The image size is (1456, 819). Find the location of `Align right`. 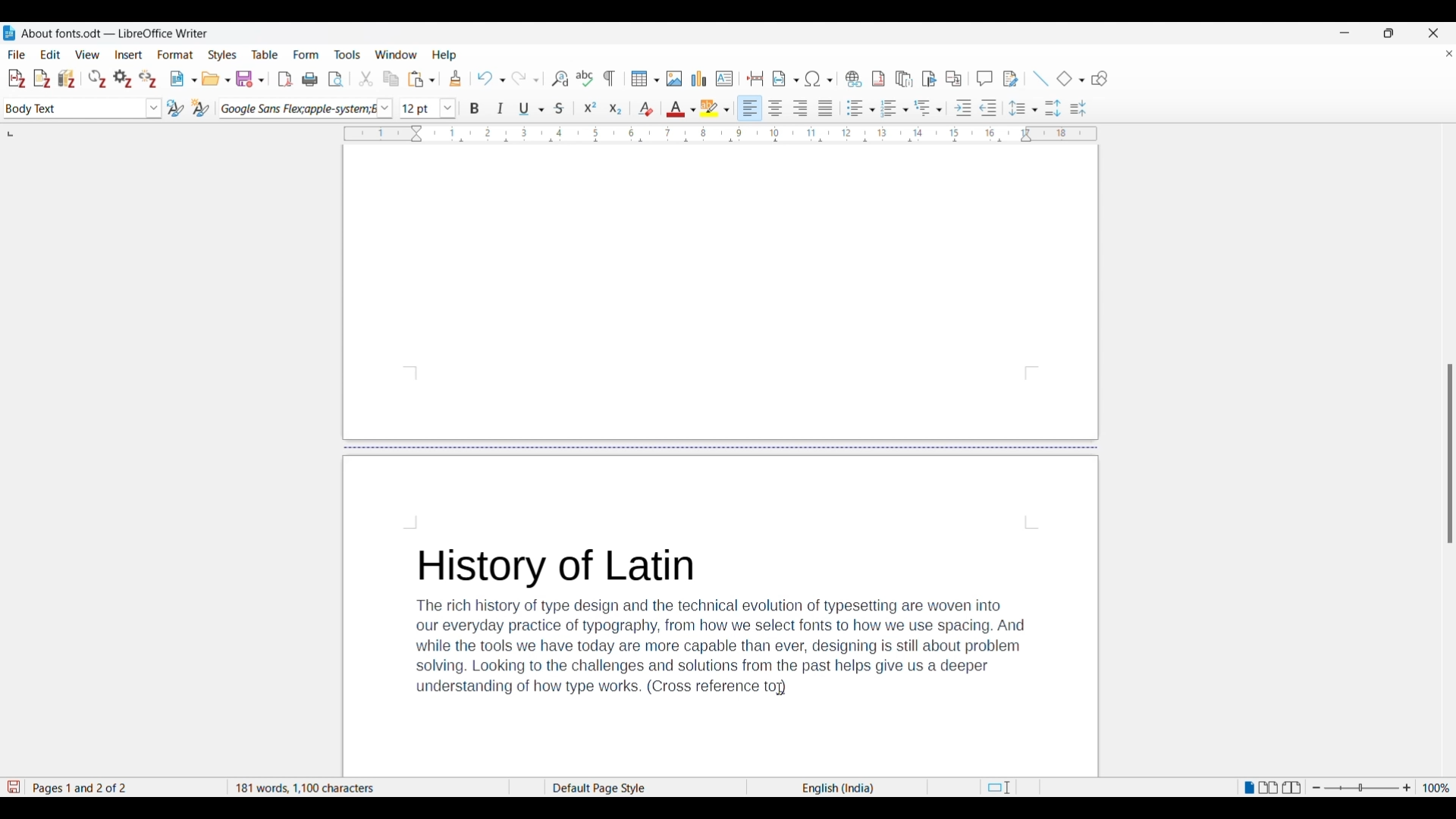

Align right is located at coordinates (800, 108).